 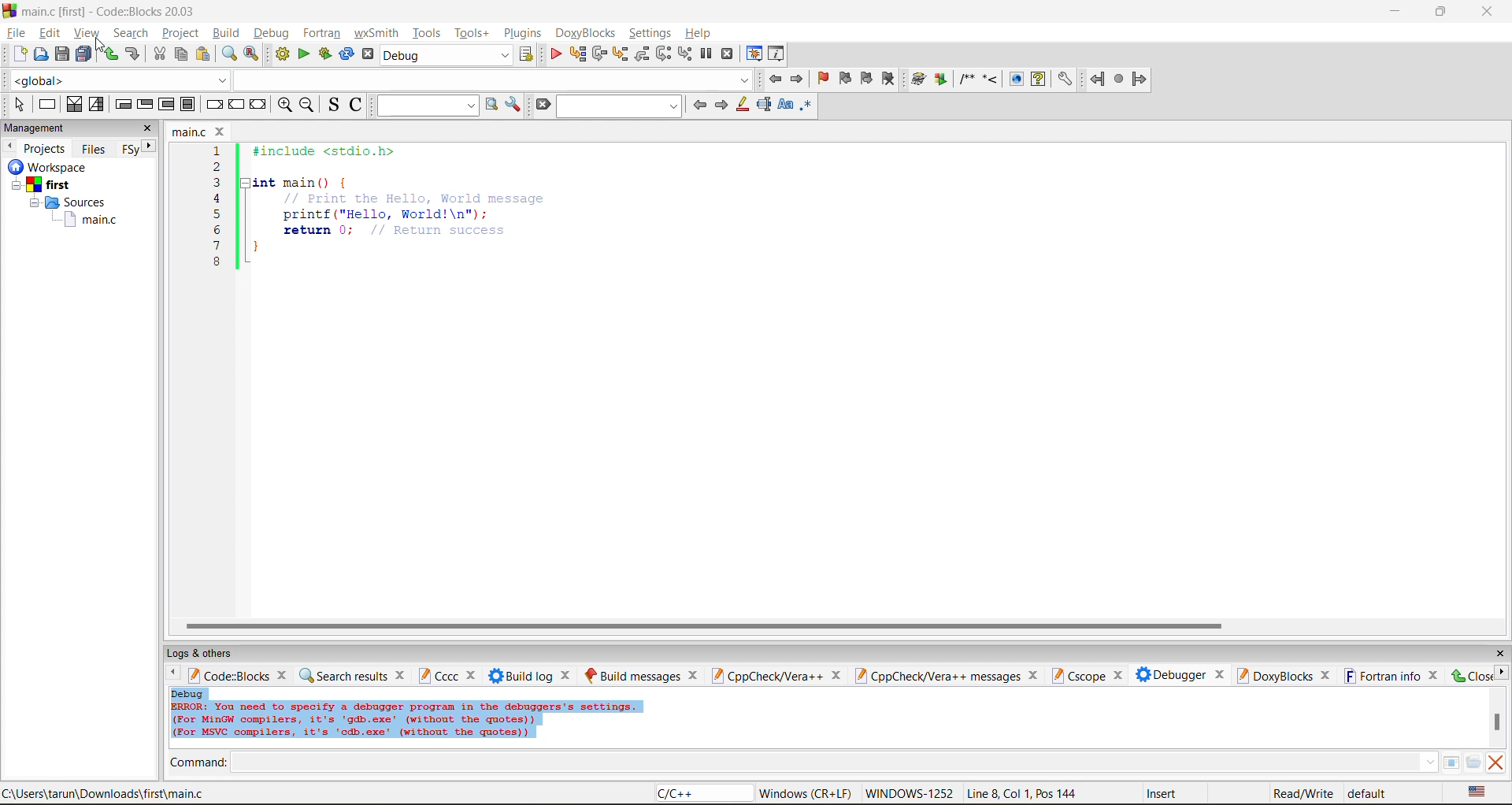 I want to click on settings, so click(x=651, y=33).